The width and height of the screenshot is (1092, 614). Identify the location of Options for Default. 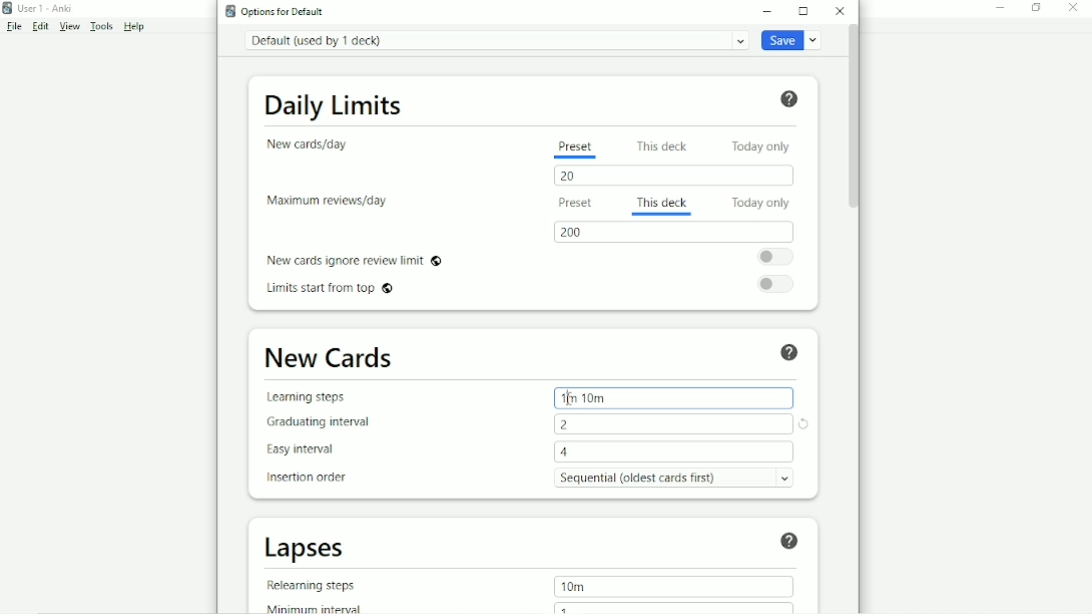
(275, 11).